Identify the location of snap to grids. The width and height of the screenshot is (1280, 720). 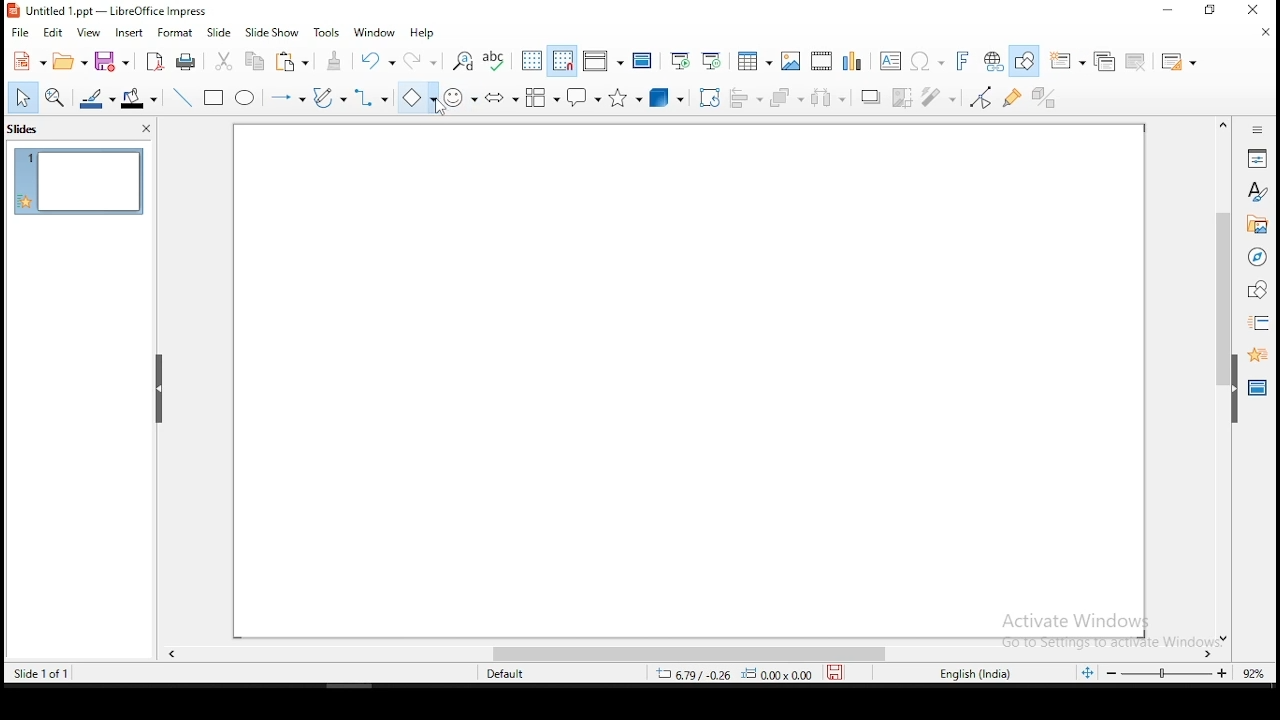
(563, 59).